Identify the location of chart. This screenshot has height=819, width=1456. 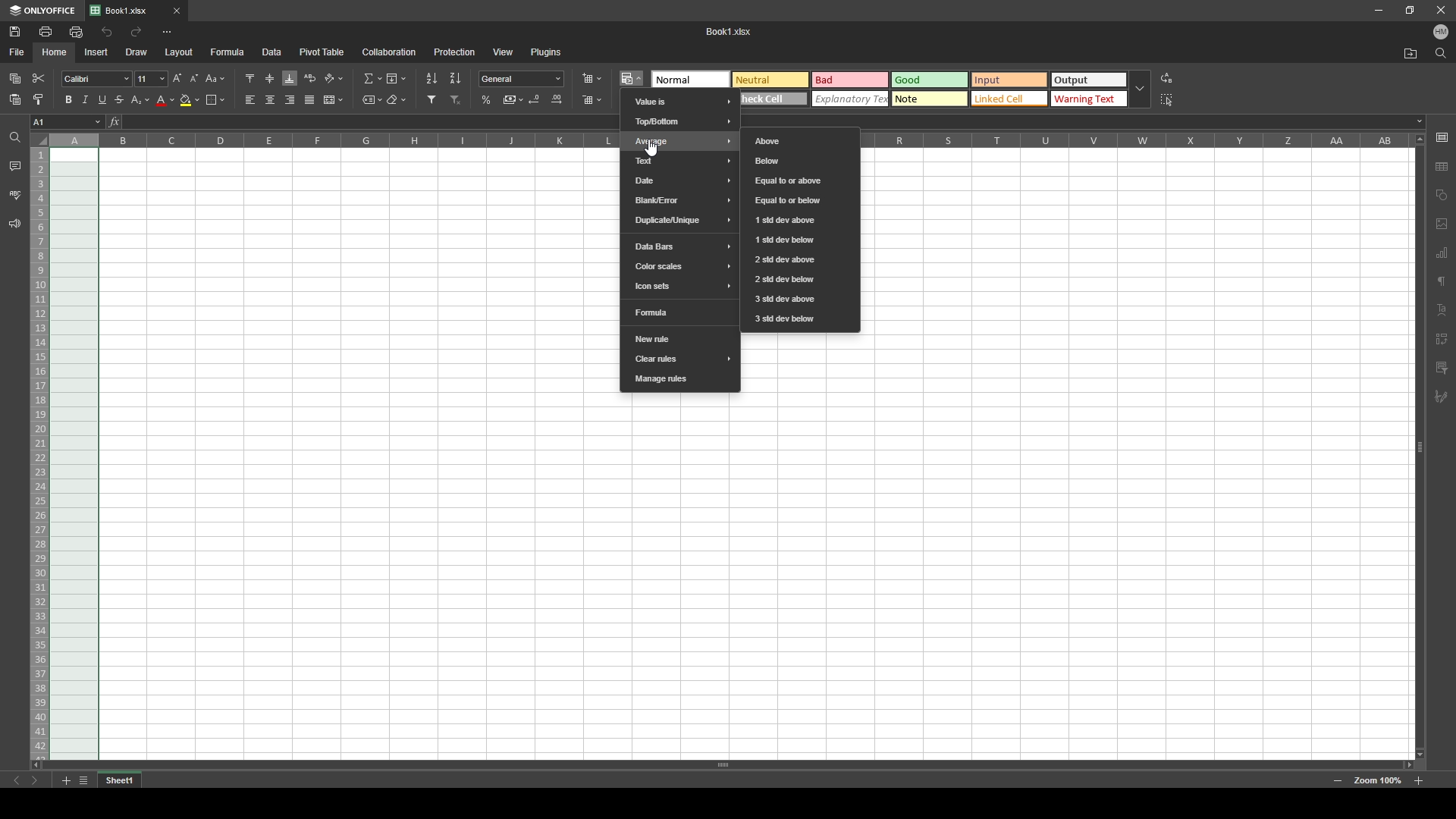
(1442, 252).